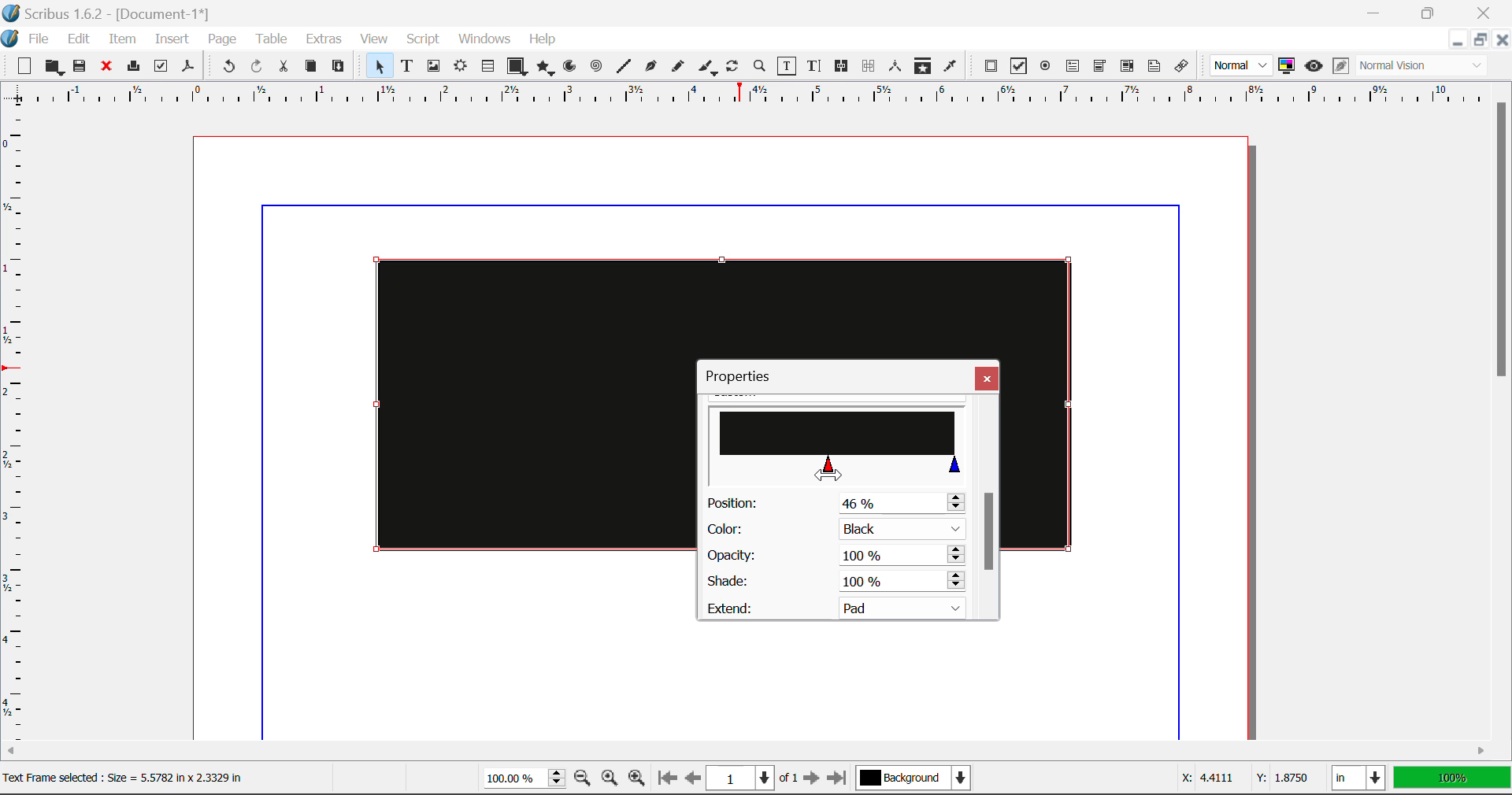  What do you see at coordinates (11, 39) in the screenshot?
I see `scribus logo` at bounding box center [11, 39].